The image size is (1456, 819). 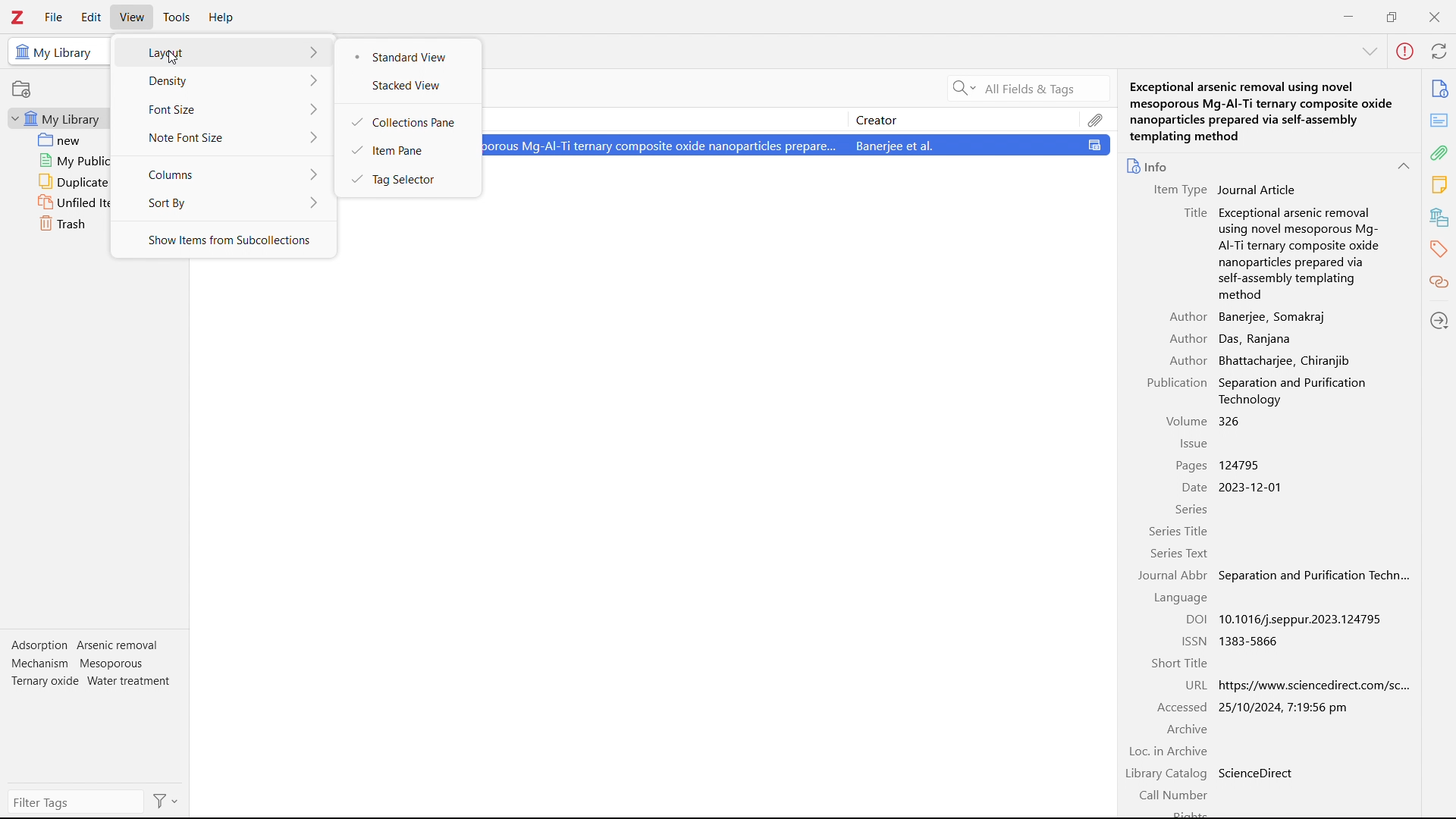 I want to click on 25/10/2024, 7:19:56 pm, so click(x=1286, y=707).